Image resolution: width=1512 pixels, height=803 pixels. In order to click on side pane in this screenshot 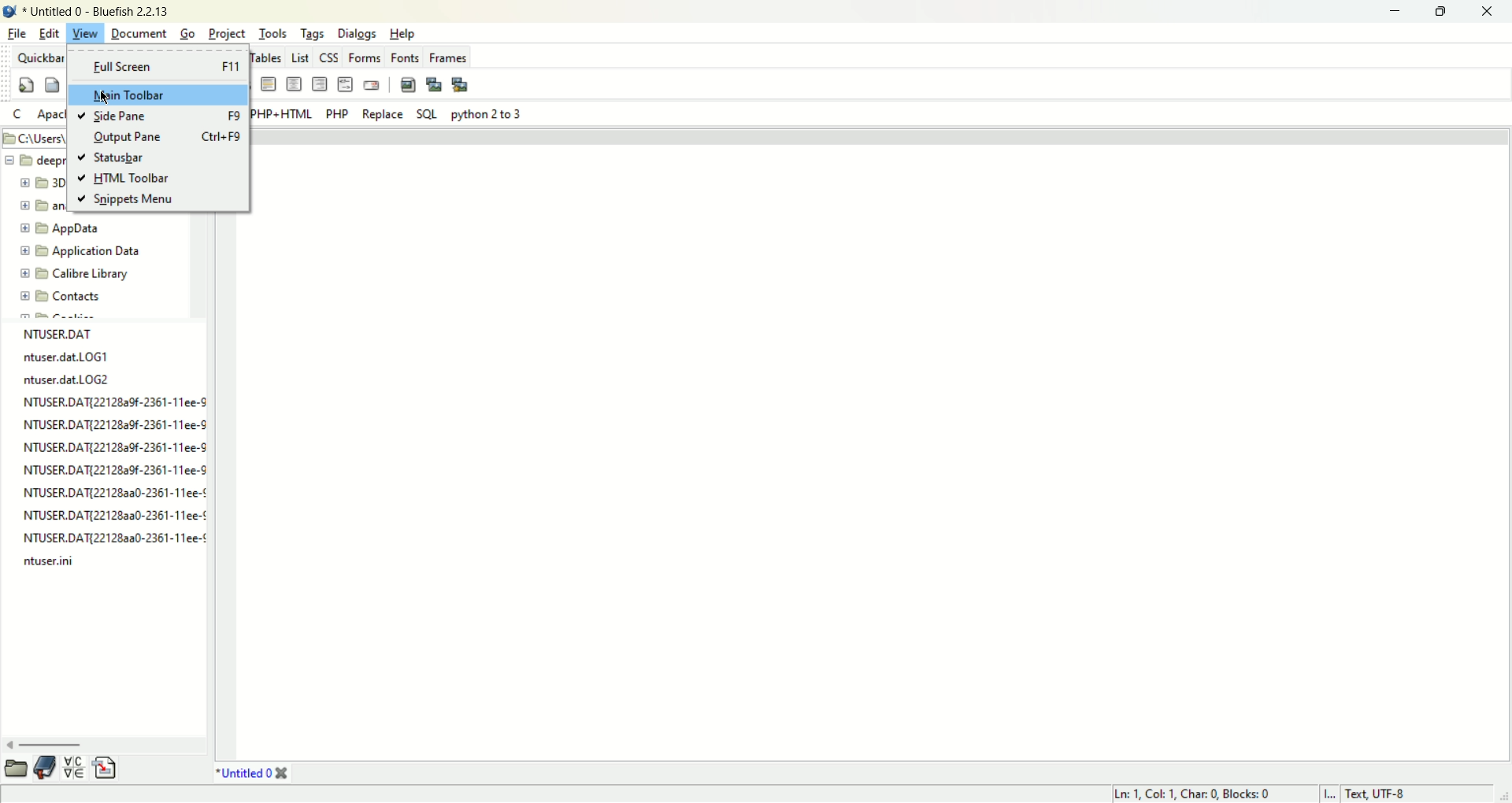, I will do `click(162, 115)`.